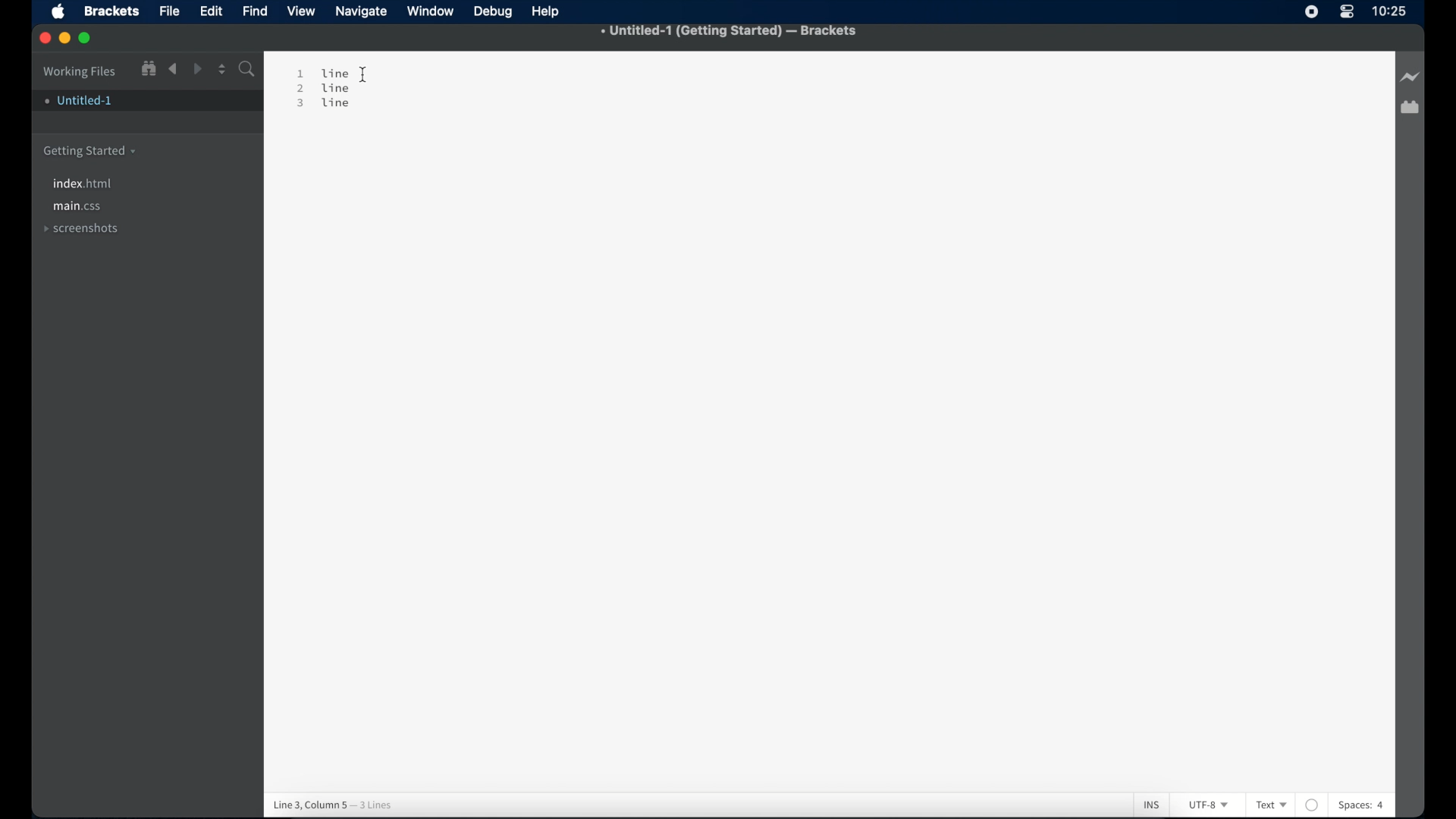 This screenshot has width=1456, height=819. What do you see at coordinates (90, 152) in the screenshot?
I see `getting started dropdown menu` at bounding box center [90, 152].